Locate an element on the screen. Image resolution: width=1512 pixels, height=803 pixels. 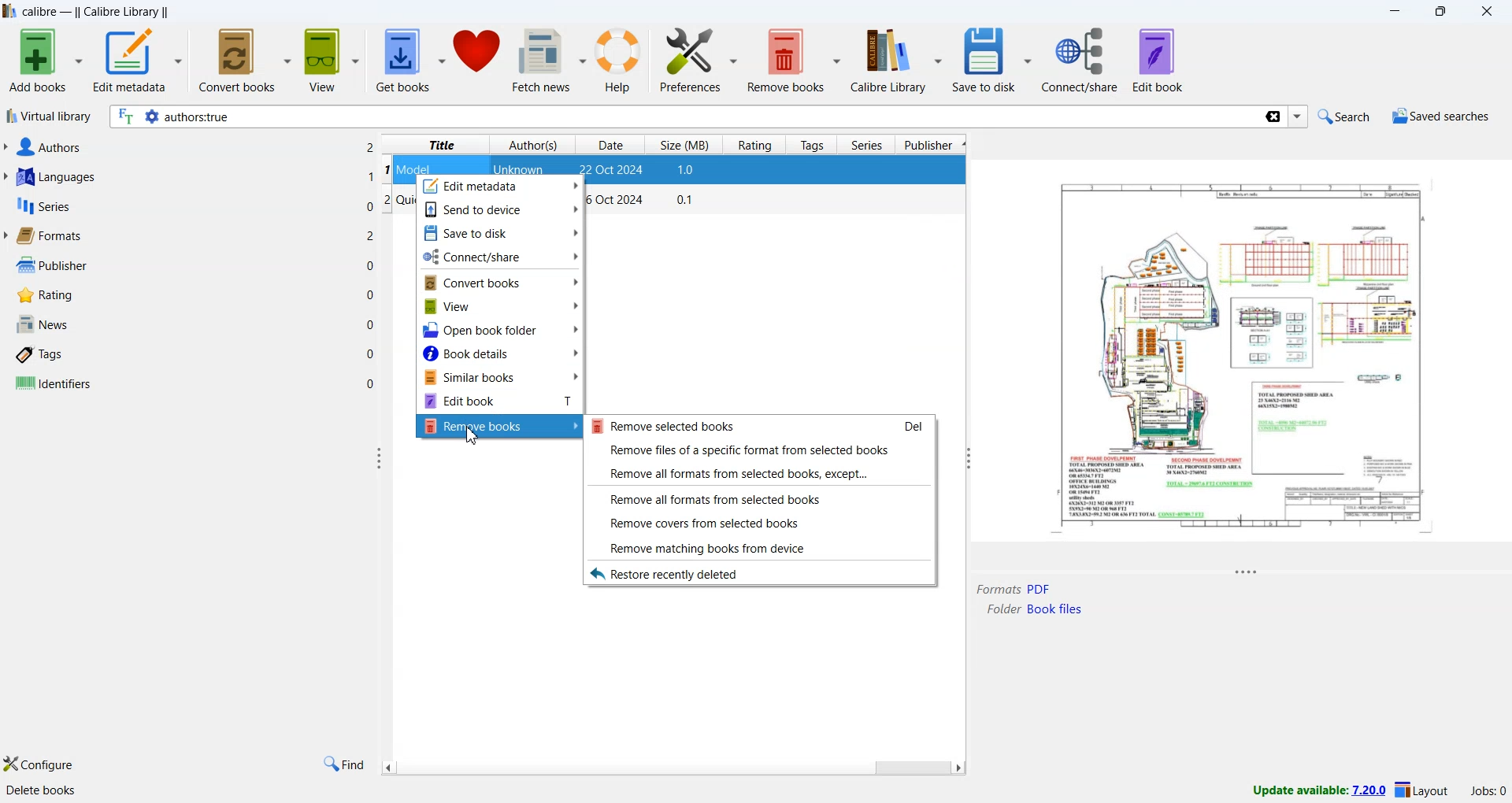
edit metadata is located at coordinates (138, 62).